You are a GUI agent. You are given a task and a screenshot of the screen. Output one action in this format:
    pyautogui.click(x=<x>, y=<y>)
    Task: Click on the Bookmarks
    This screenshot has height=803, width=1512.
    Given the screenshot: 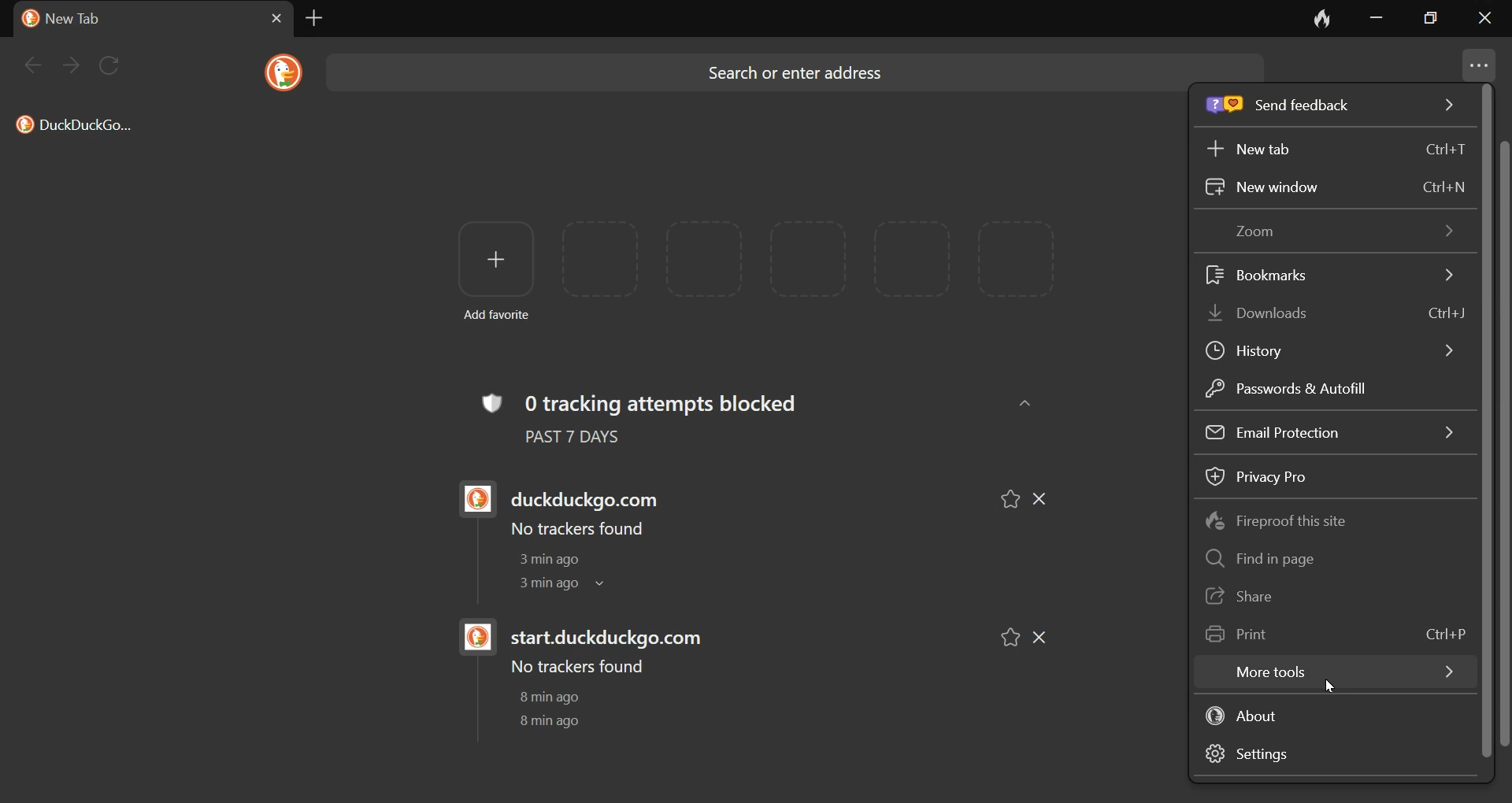 What is the action you would take?
    pyautogui.click(x=1324, y=272)
    